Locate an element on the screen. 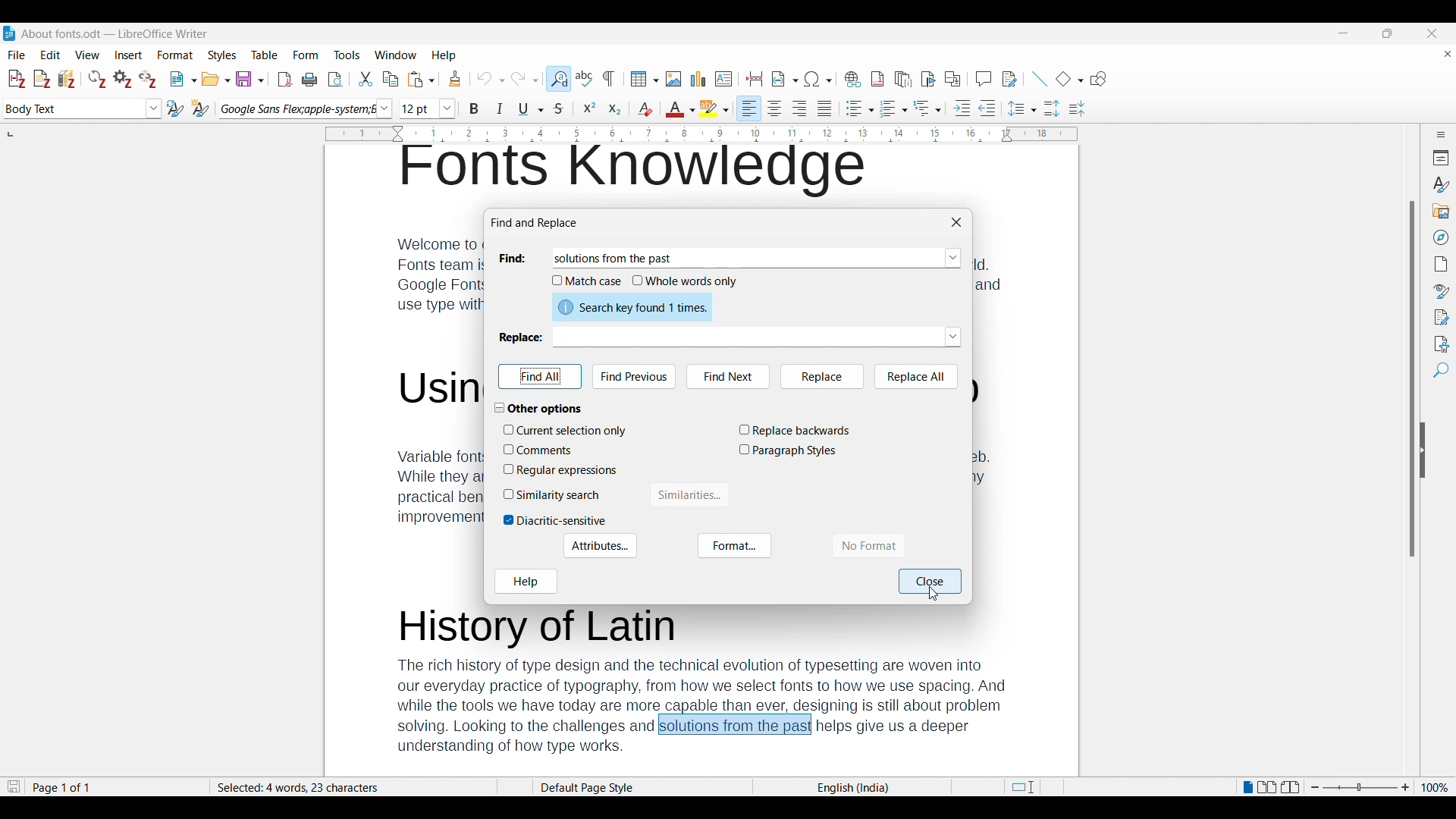 This screenshot has height=819, width=1456. text is located at coordinates (703, 681).